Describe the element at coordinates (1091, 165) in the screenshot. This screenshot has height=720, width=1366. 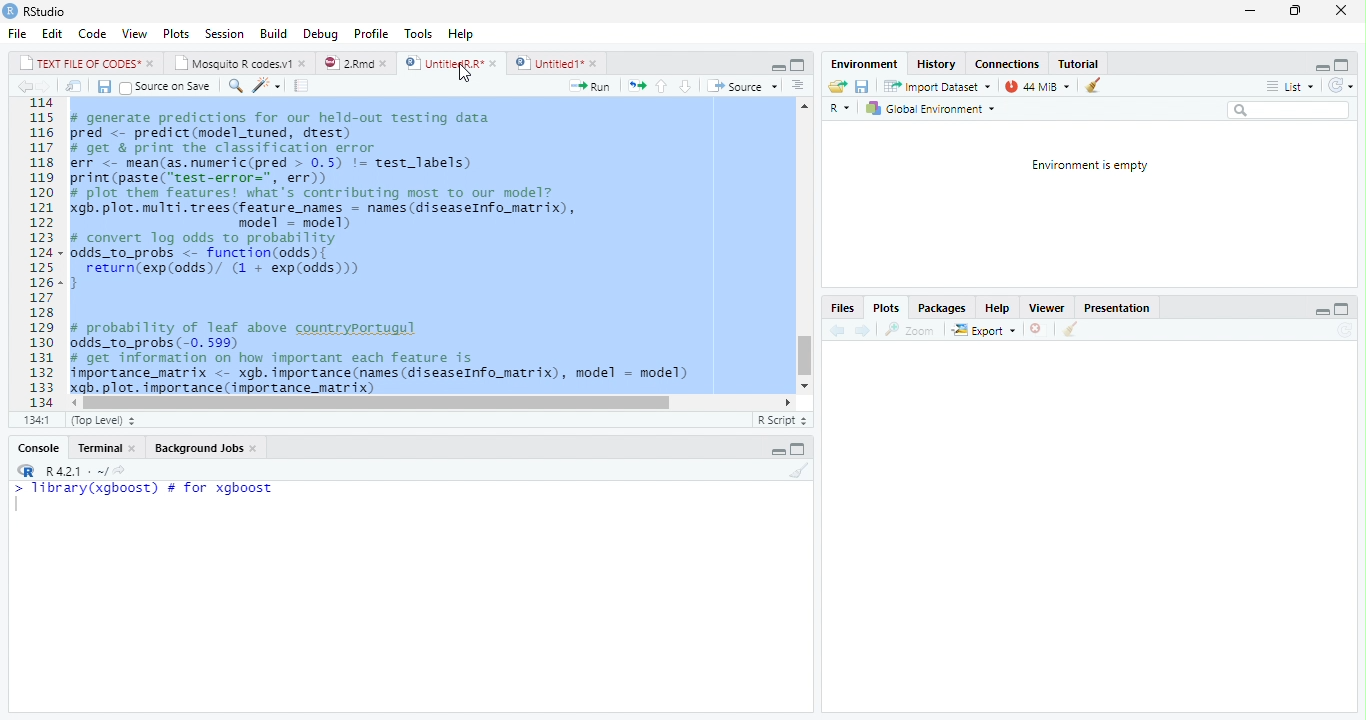
I see `Environment is empty` at that location.